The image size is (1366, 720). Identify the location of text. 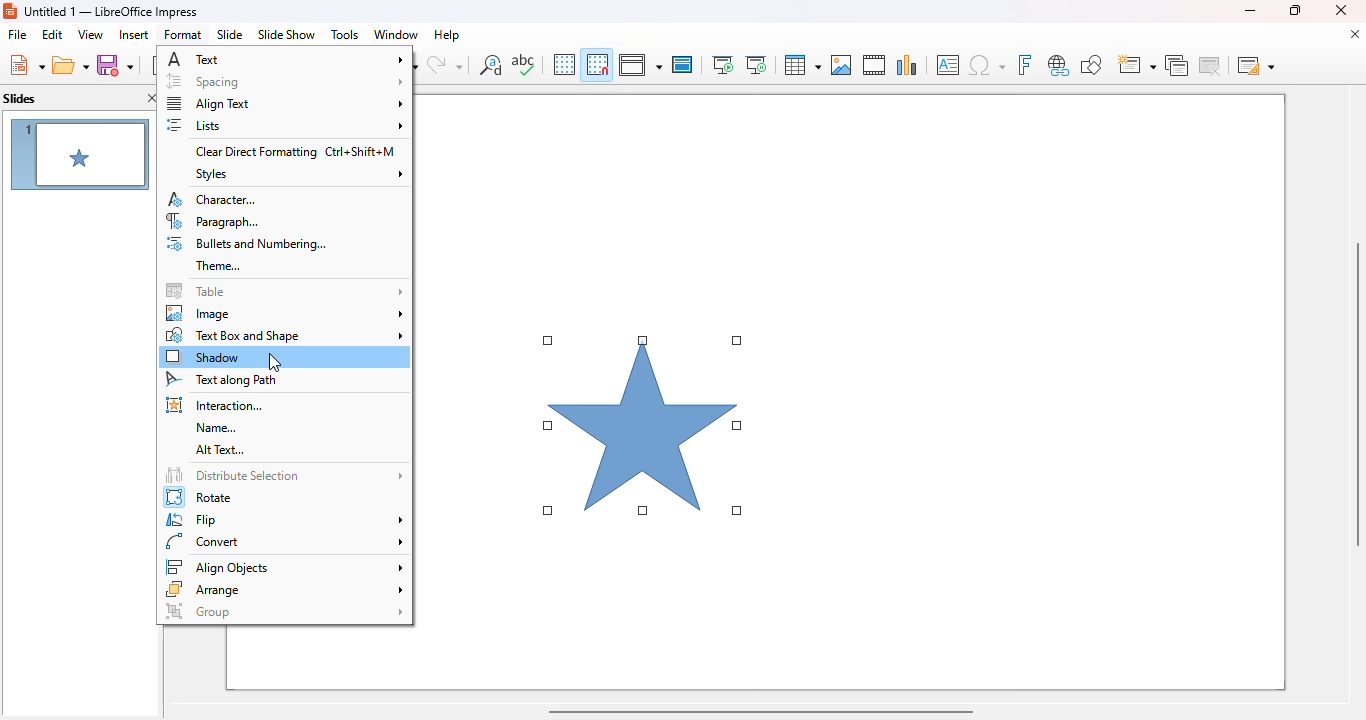
(286, 58).